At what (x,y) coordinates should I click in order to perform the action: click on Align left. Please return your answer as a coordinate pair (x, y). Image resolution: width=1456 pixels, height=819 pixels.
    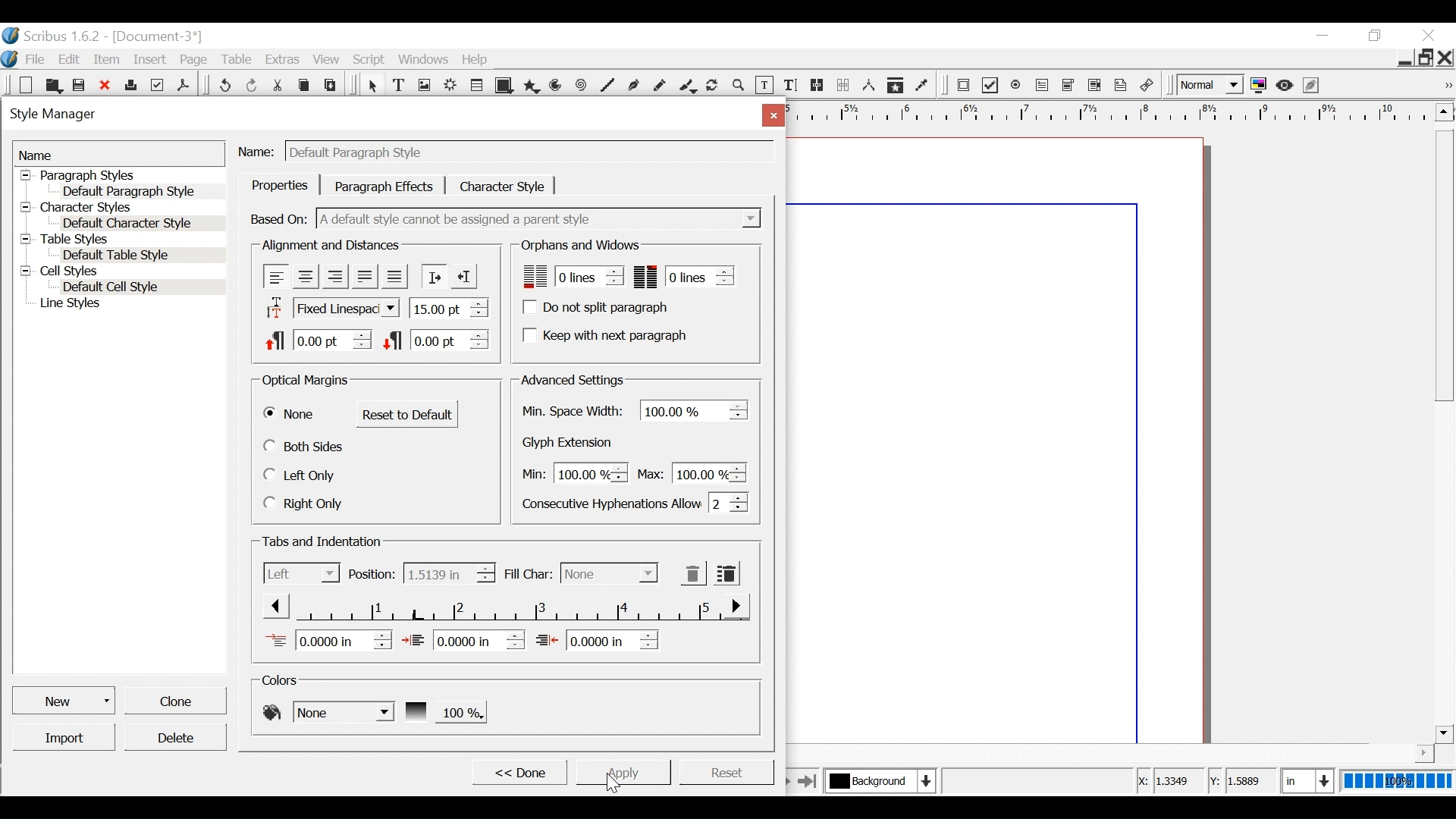
    Looking at the image, I should click on (277, 276).